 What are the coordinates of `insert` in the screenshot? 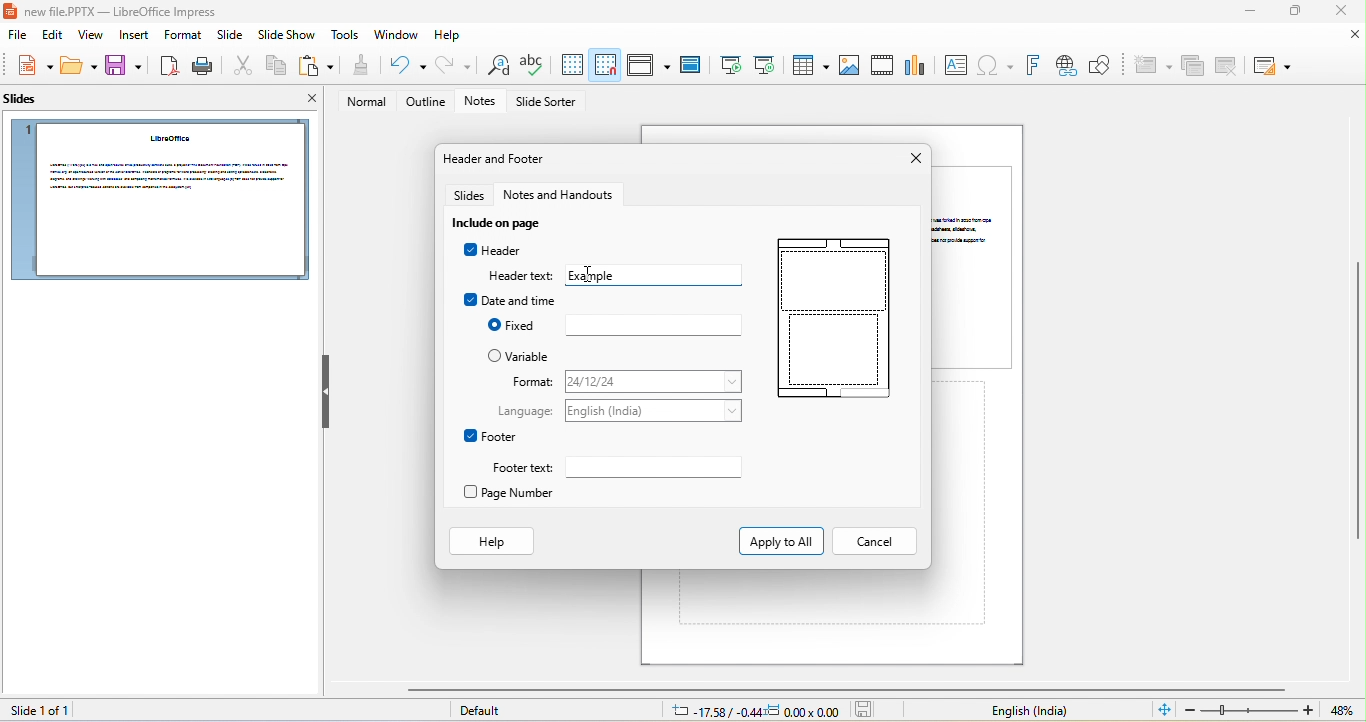 It's located at (136, 36).